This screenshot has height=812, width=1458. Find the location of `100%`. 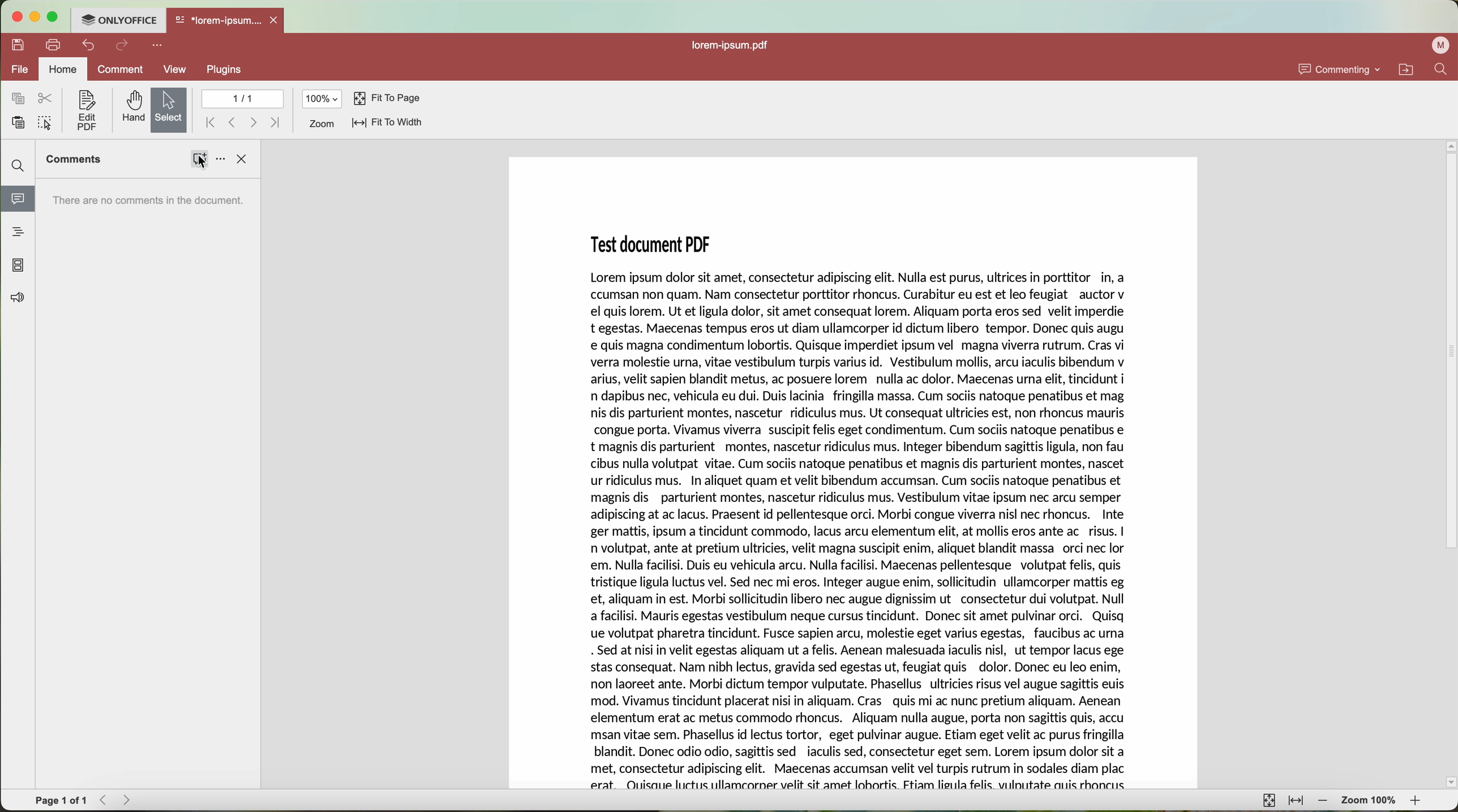

100% is located at coordinates (322, 98).